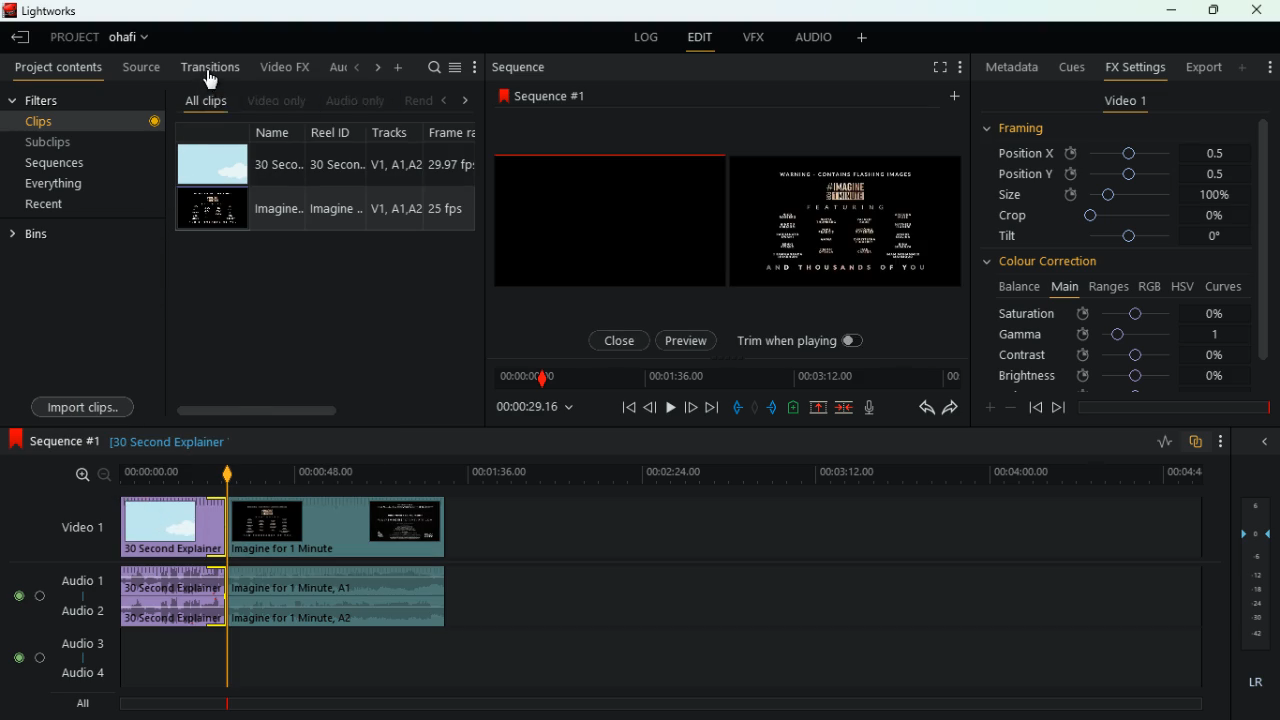 This screenshot has width=1280, height=720. I want to click on video, so click(211, 164).